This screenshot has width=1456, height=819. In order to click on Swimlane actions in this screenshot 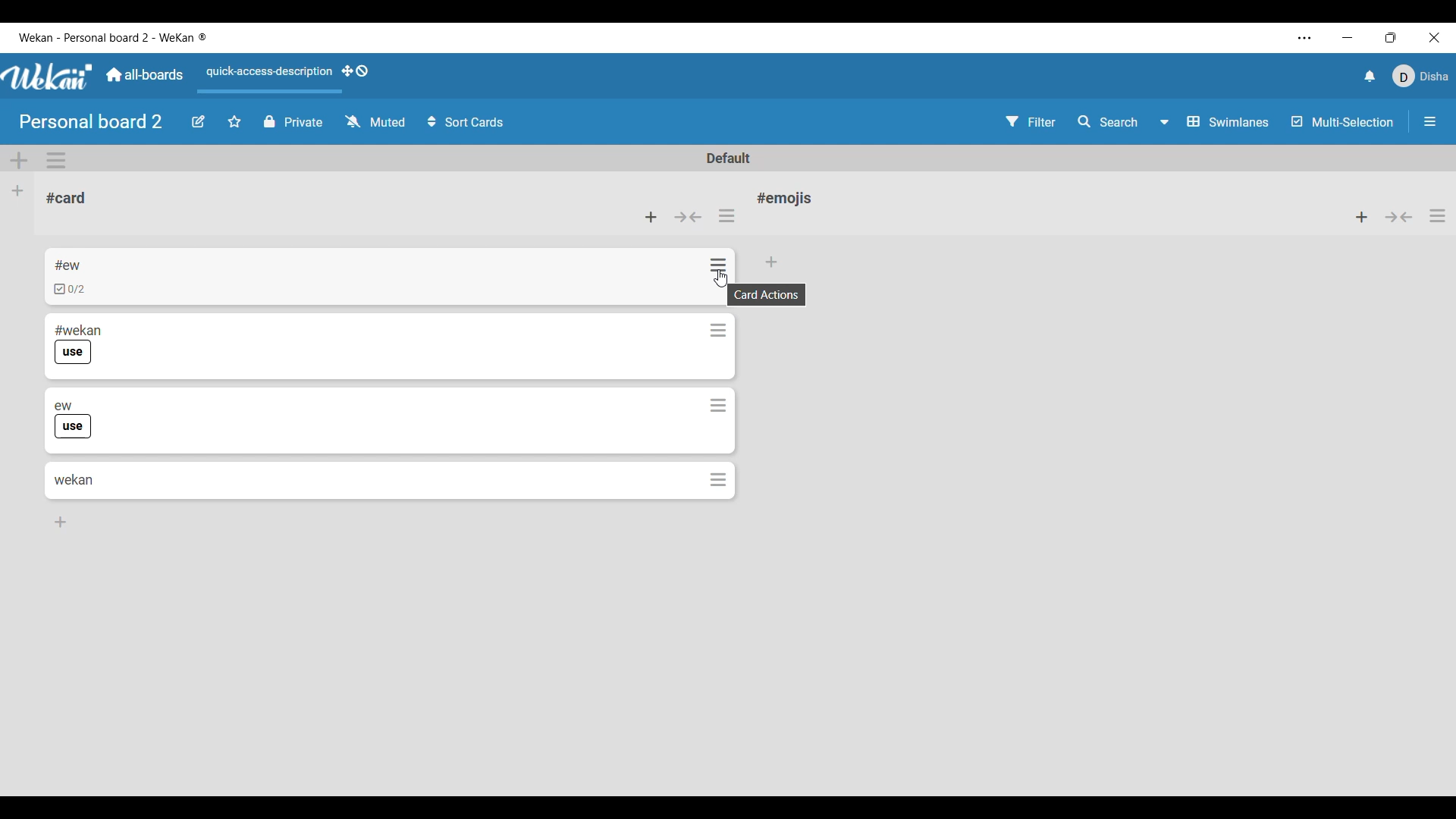, I will do `click(56, 161)`.